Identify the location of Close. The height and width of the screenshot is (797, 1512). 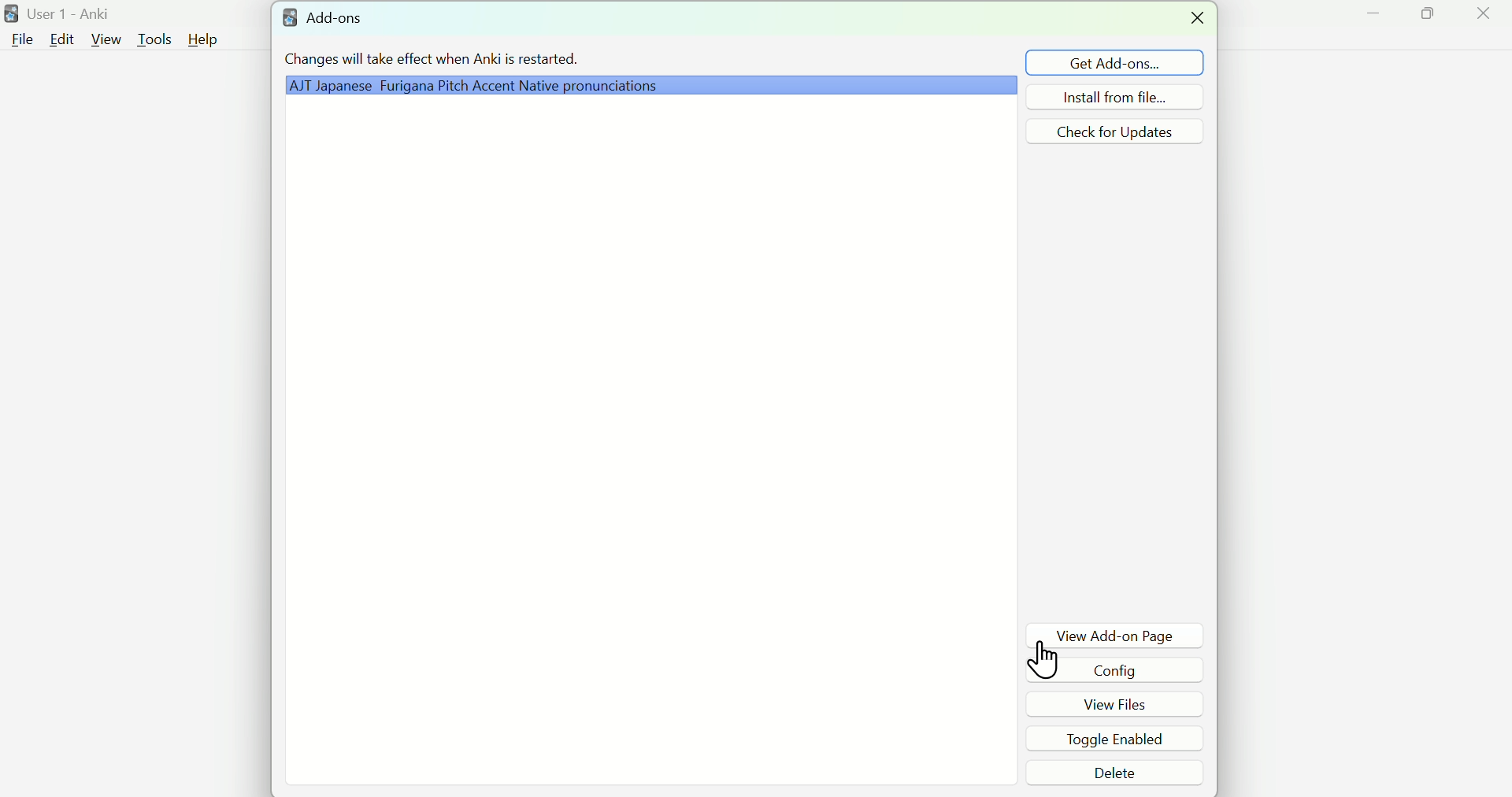
(1199, 16).